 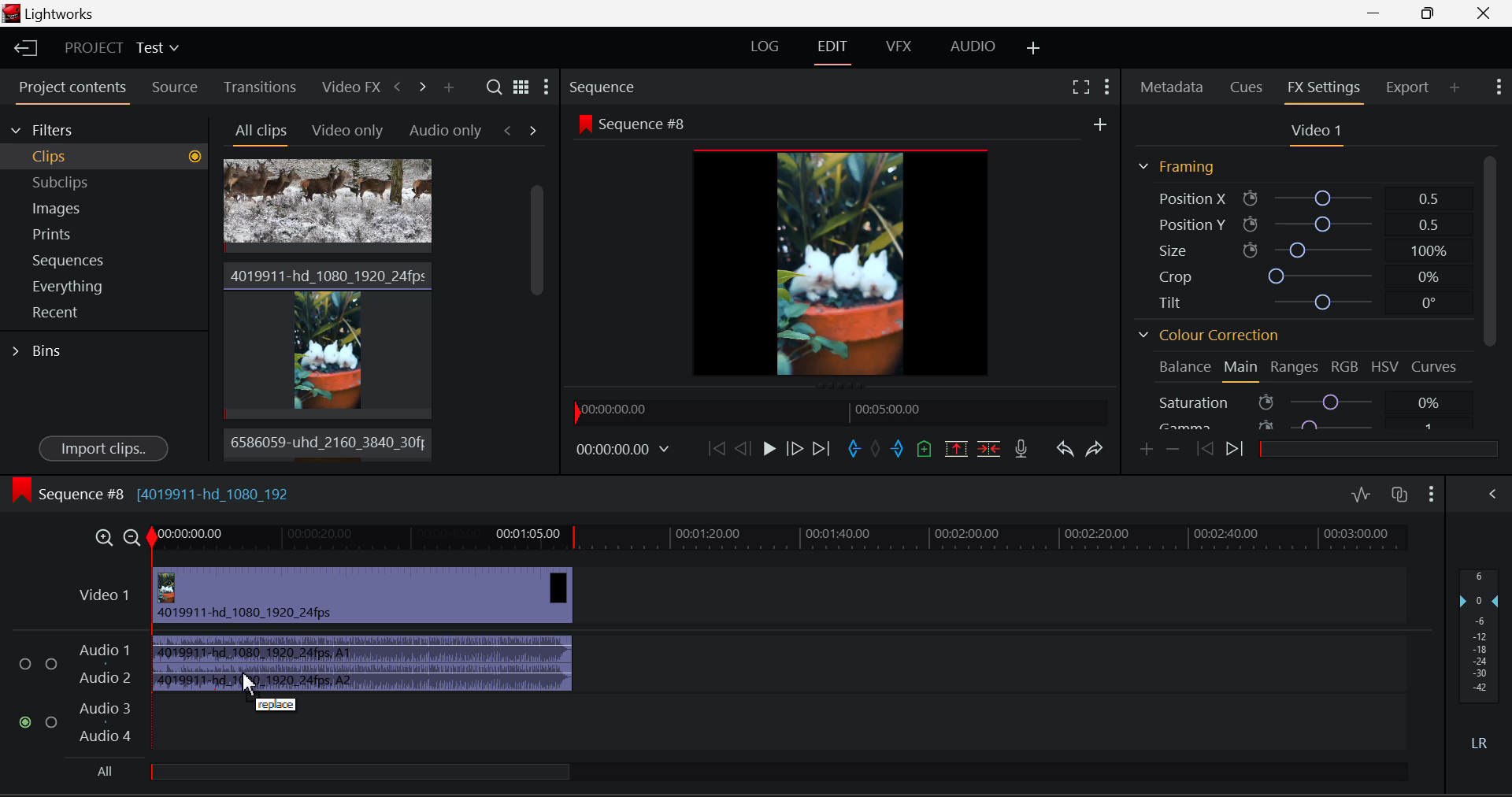 I want to click on Audio only, so click(x=446, y=129).